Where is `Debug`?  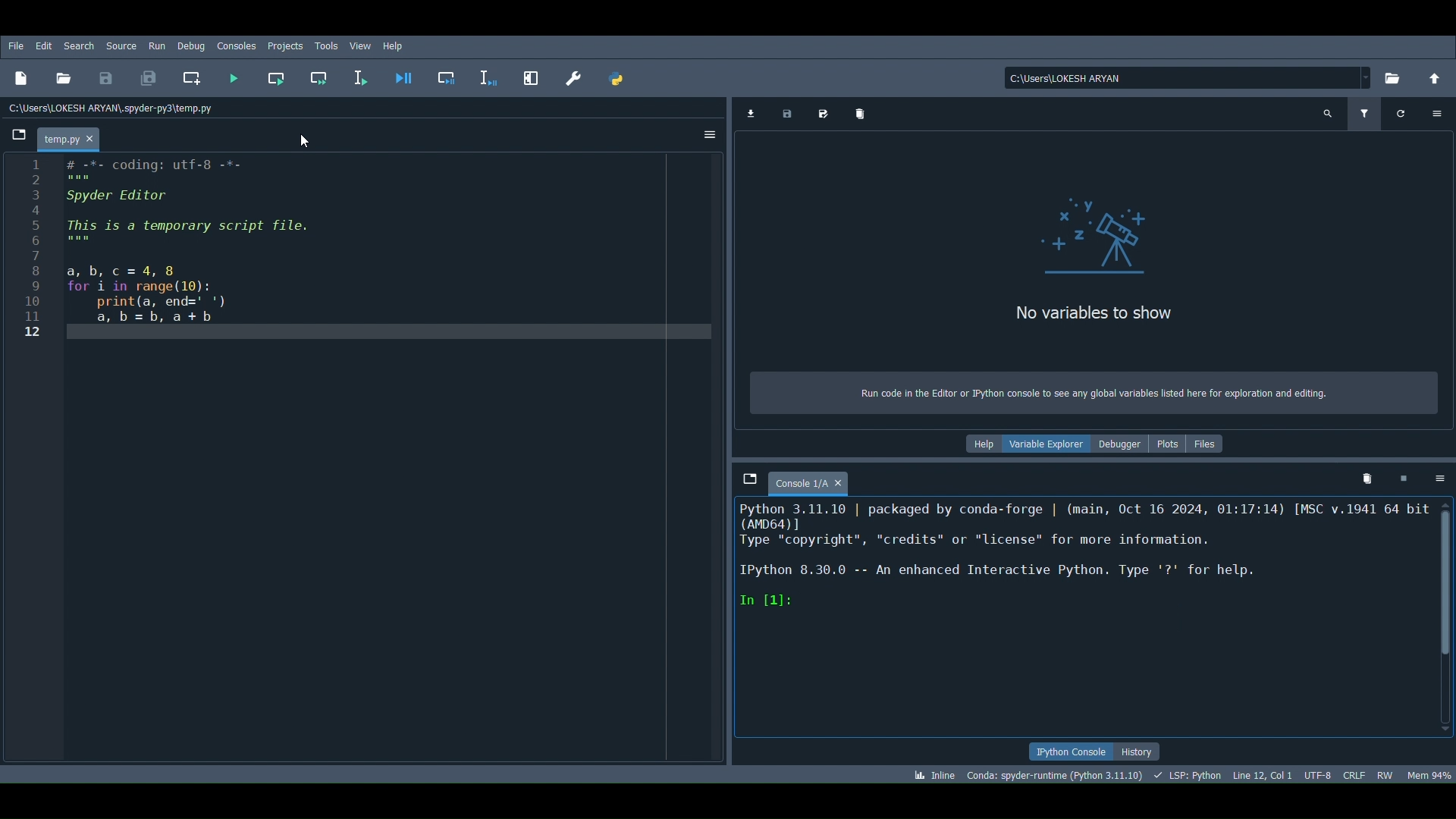
Debug is located at coordinates (190, 46).